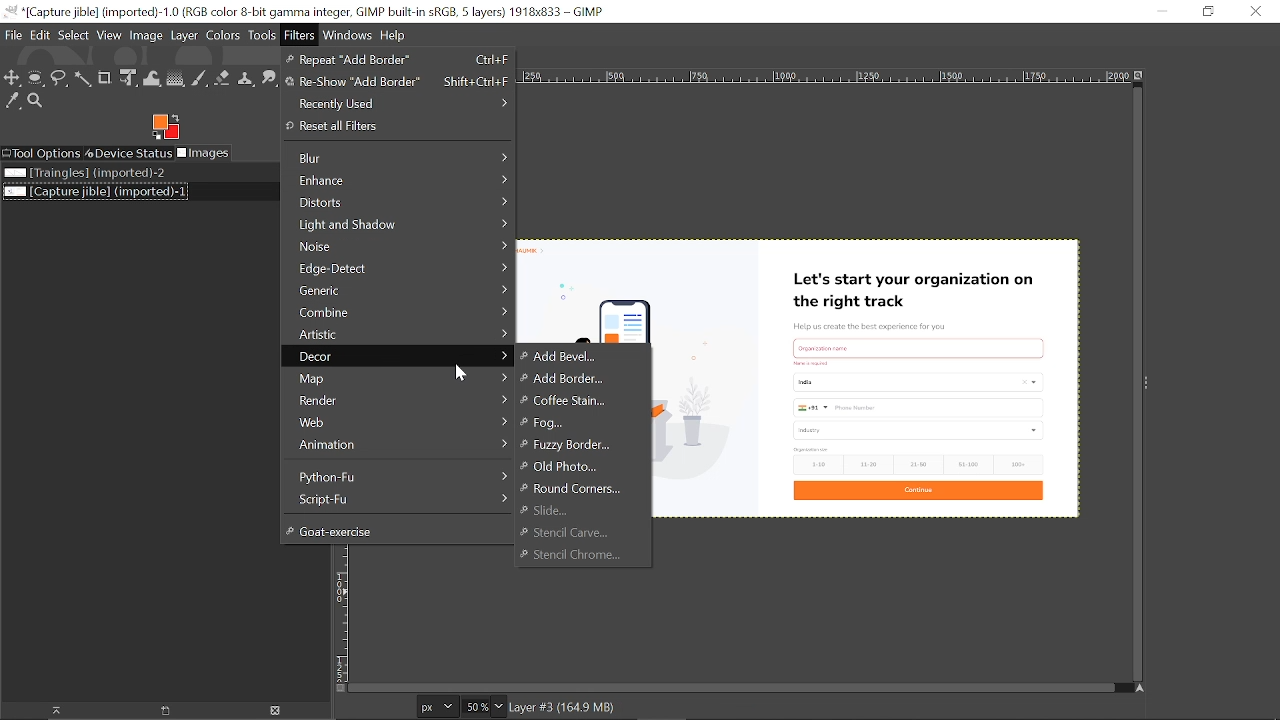 The image size is (1280, 720). I want to click on Toggle quick mask on/off, so click(338, 689).